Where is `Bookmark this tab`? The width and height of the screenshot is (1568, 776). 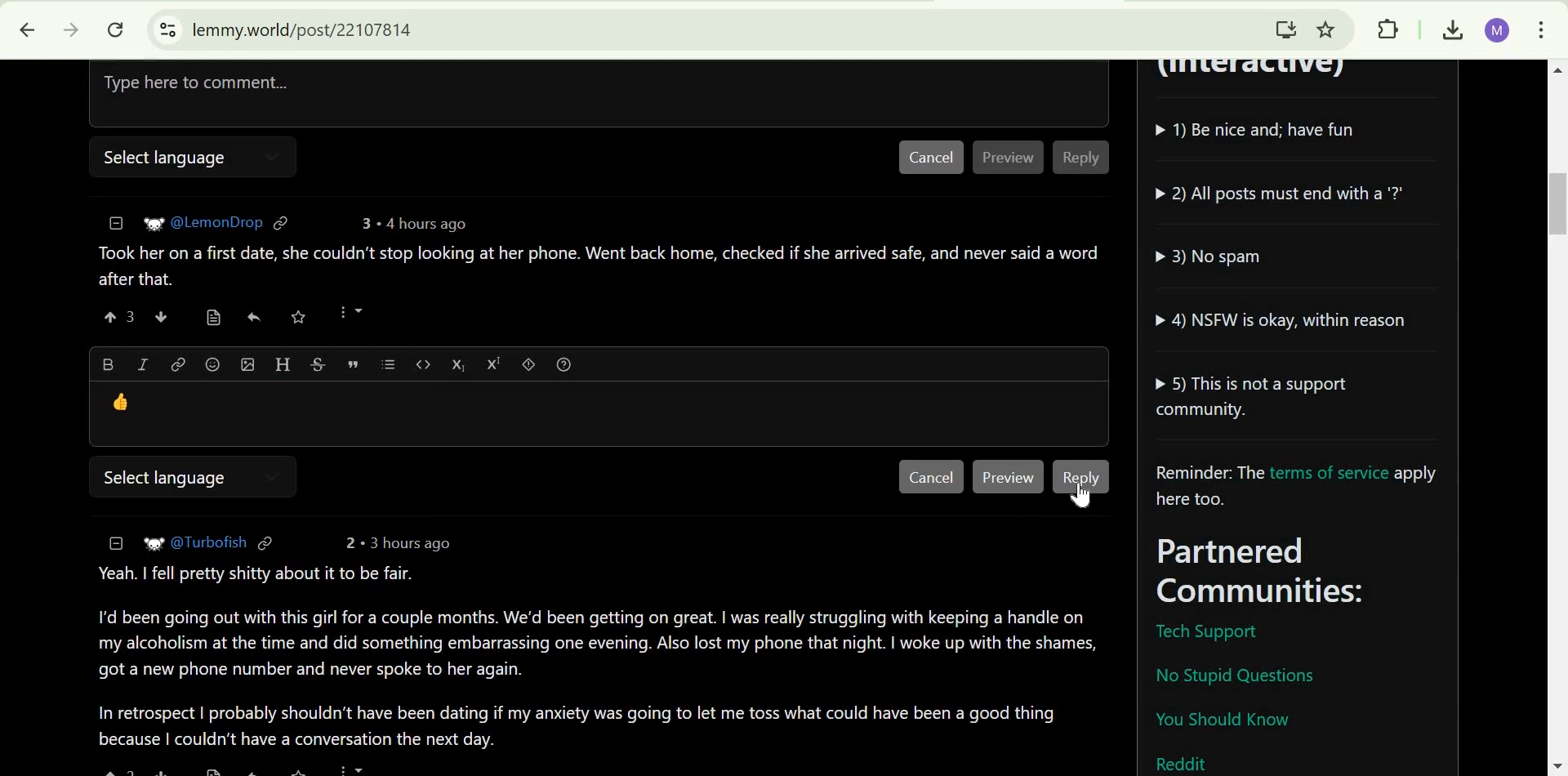 Bookmark this tab is located at coordinates (1327, 27).